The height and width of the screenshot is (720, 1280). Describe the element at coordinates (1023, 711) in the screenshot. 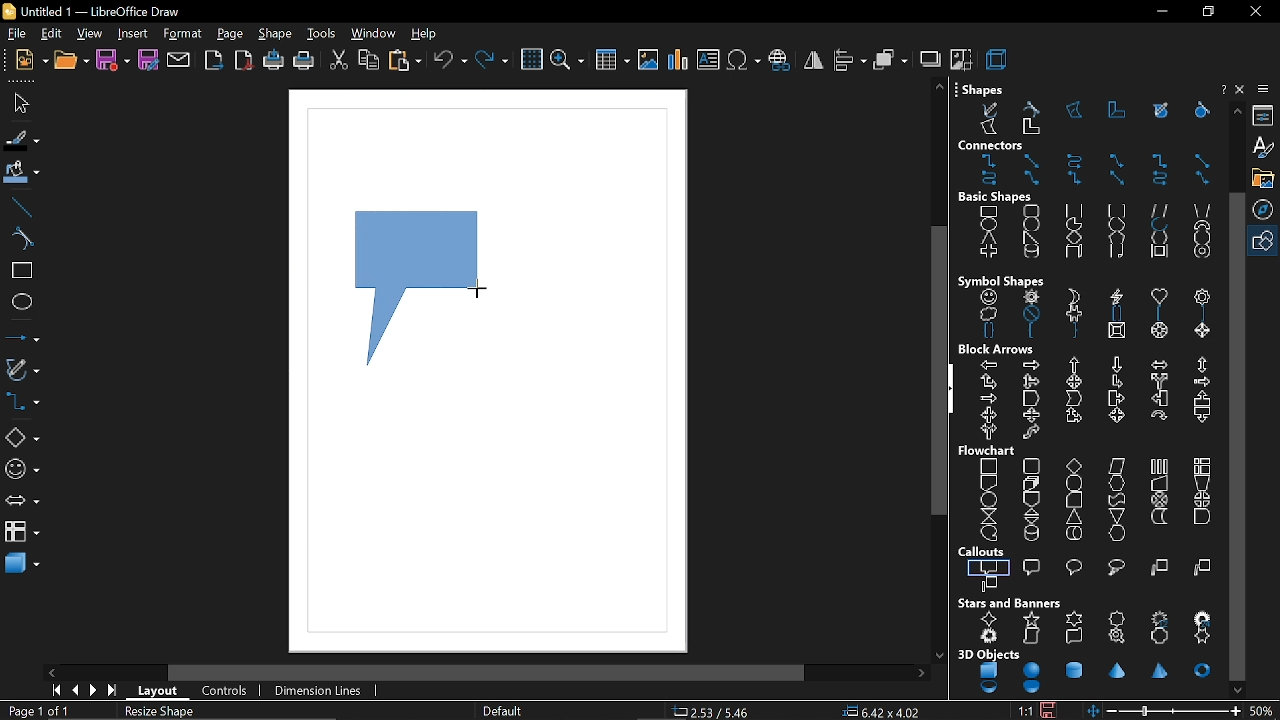

I see `scaling factor` at that location.